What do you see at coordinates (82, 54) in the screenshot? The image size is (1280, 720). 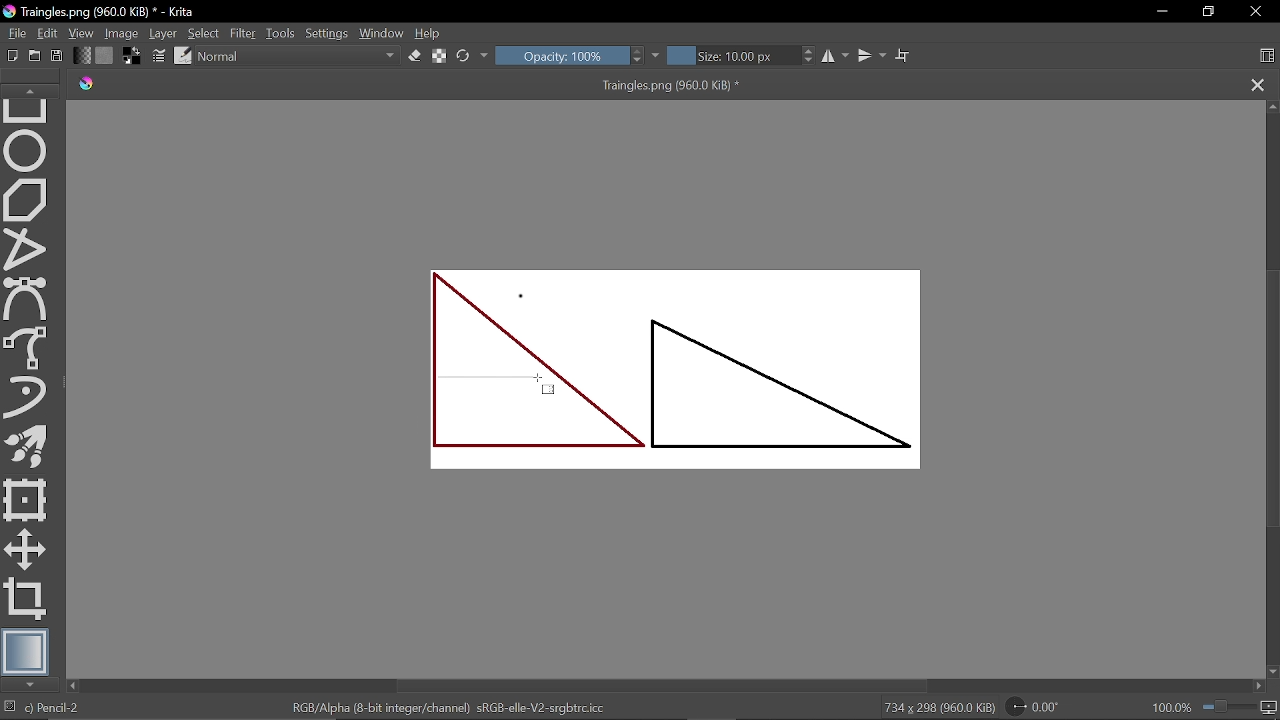 I see `Gradient fill` at bounding box center [82, 54].